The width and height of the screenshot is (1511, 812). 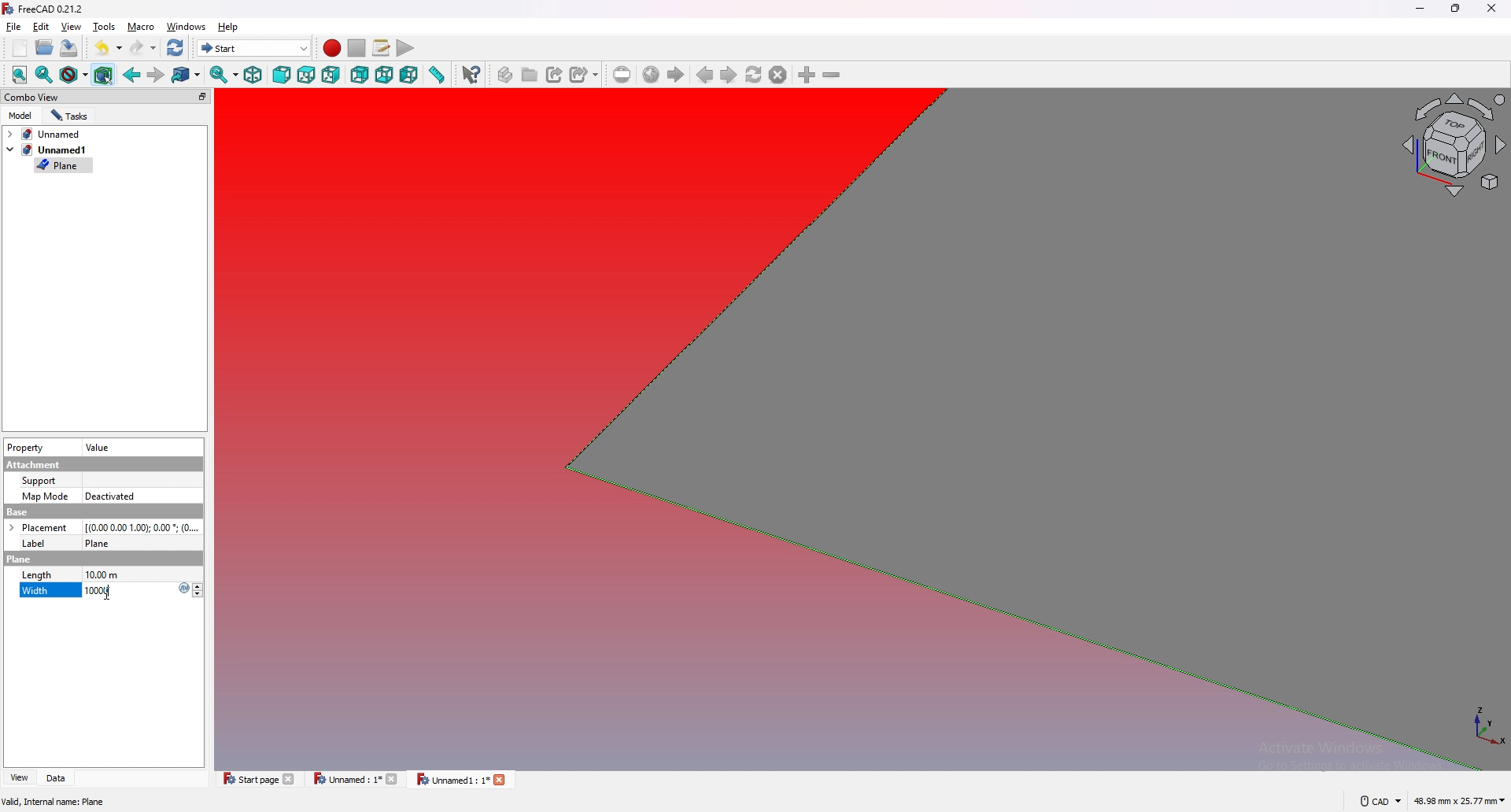 What do you see at coordinates (45, 9) in the screenshot?
I see `FreeCAD 0.21.2` at bounding box center [45, 9].